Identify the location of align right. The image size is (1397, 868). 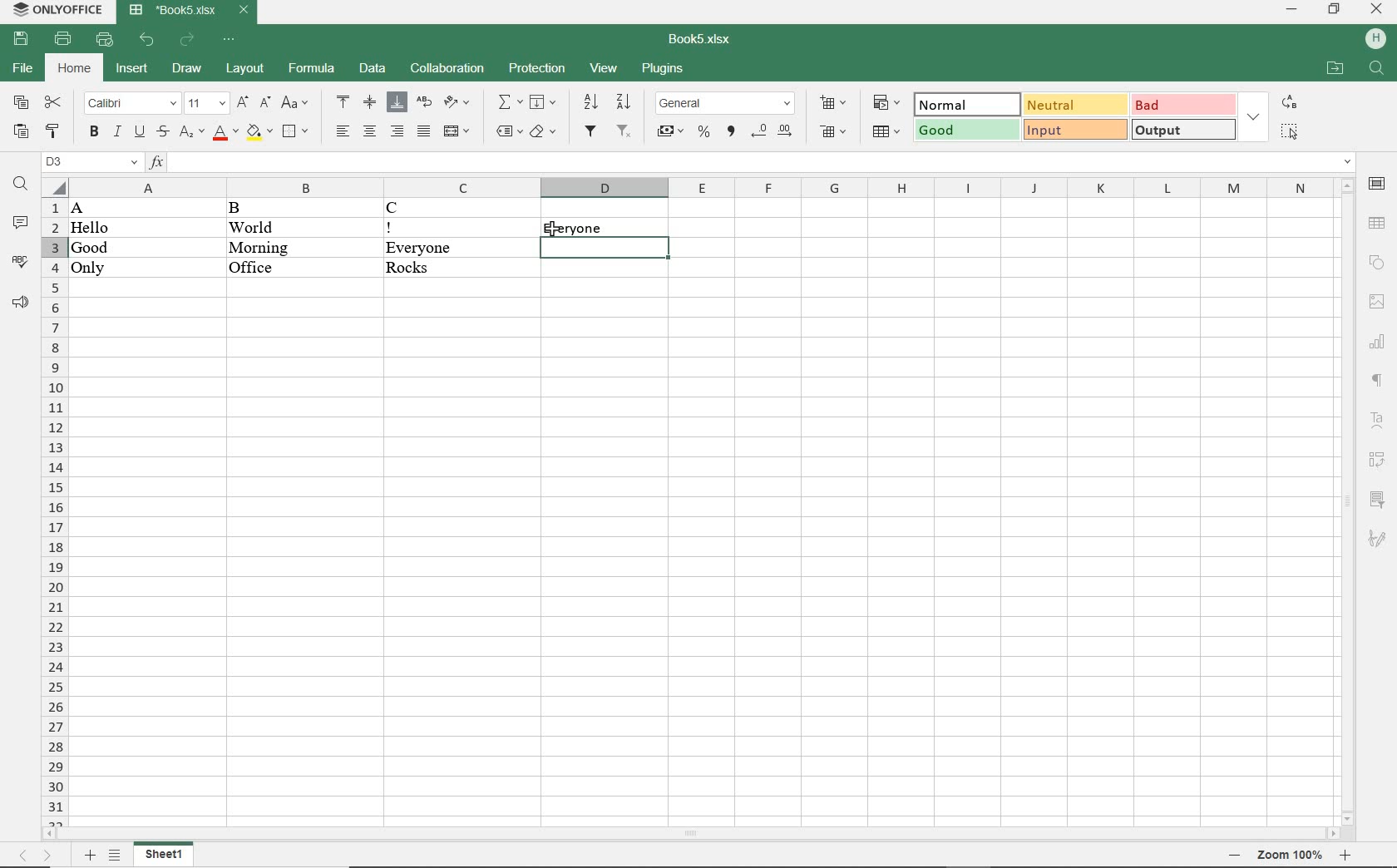
(397, 132).